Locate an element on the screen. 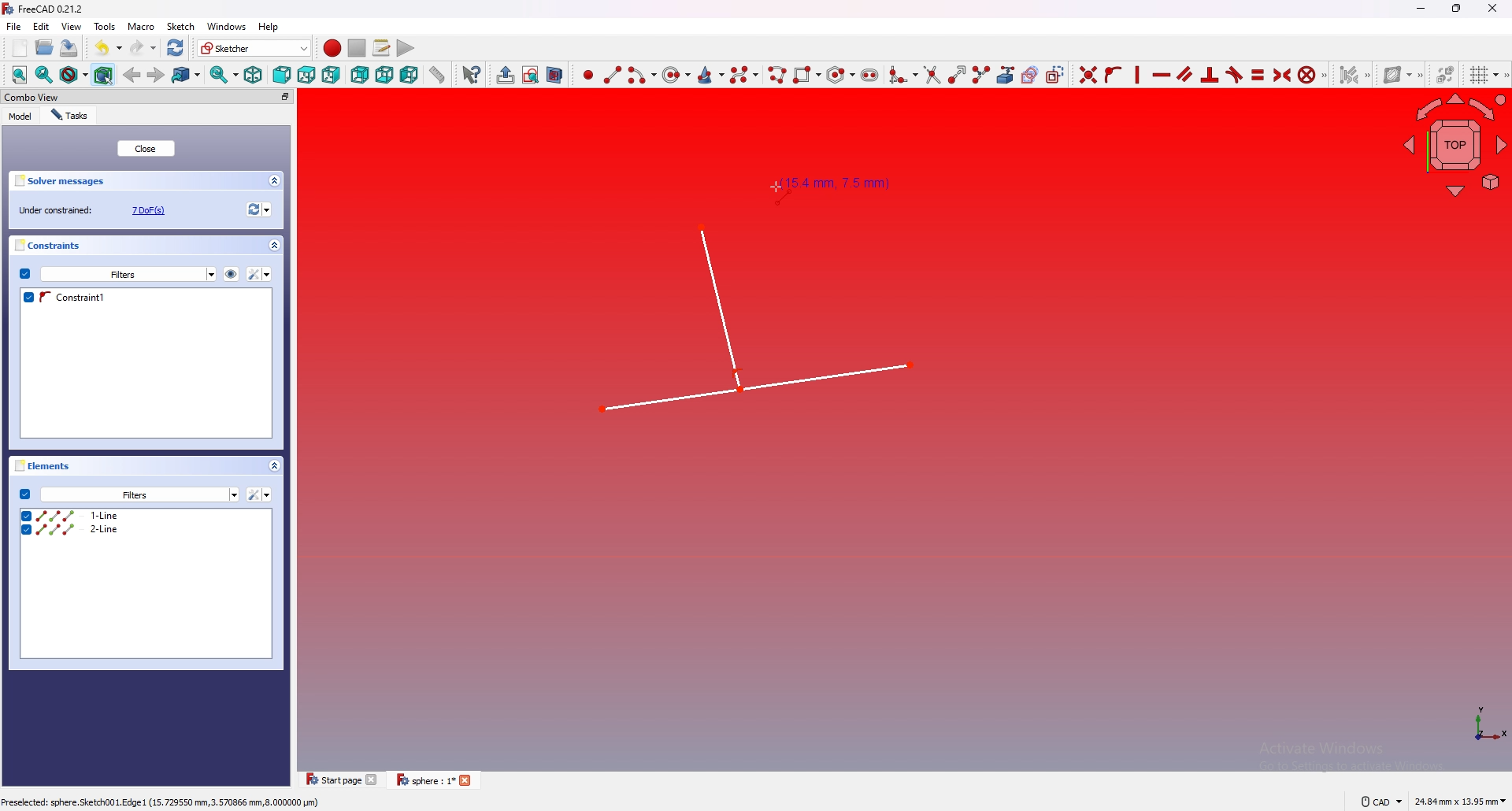  Show/hide B-spline information layer is located at coordinates (1400, 74).